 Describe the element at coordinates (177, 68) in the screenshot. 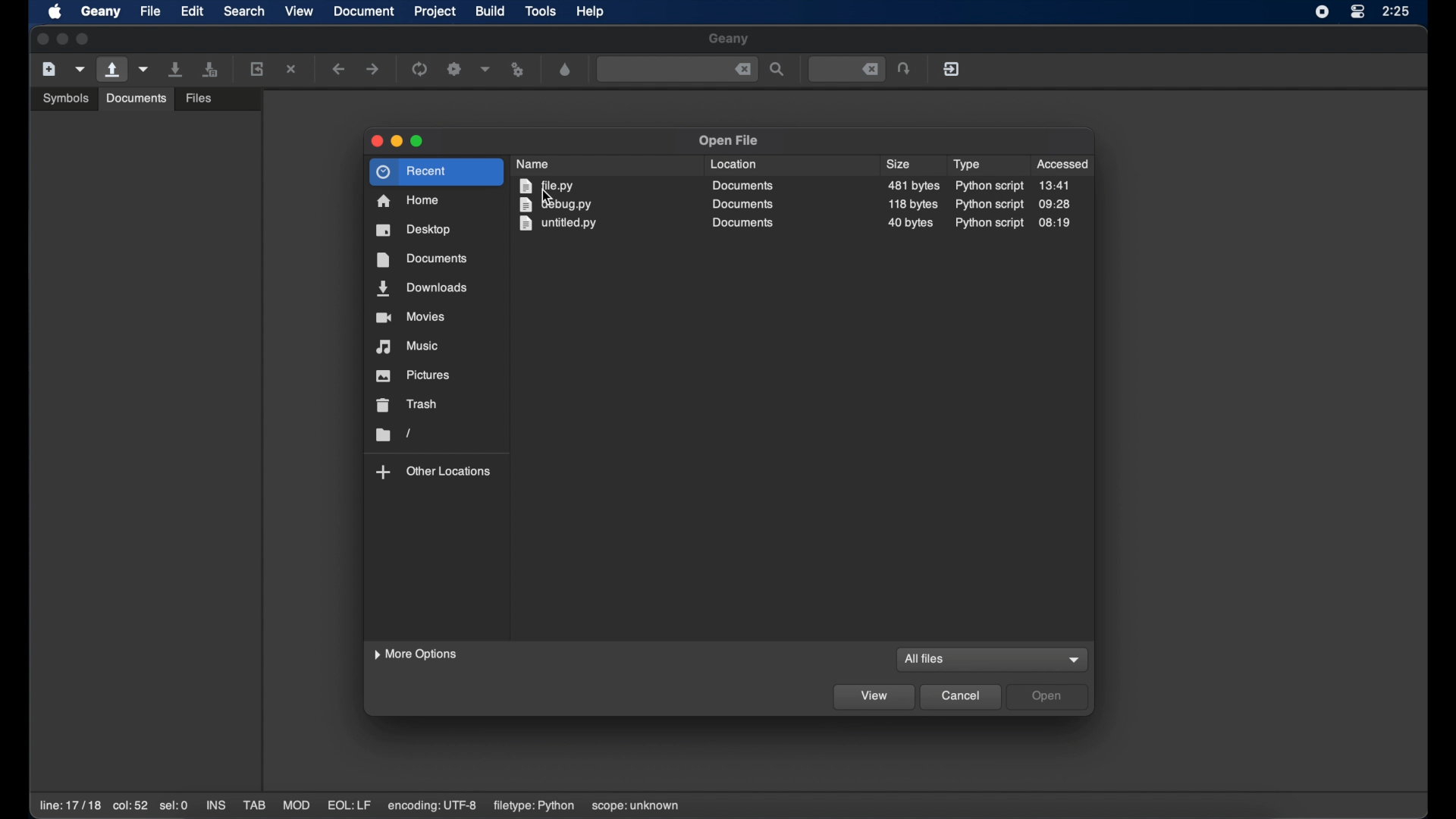

I see `save current file` at that location.